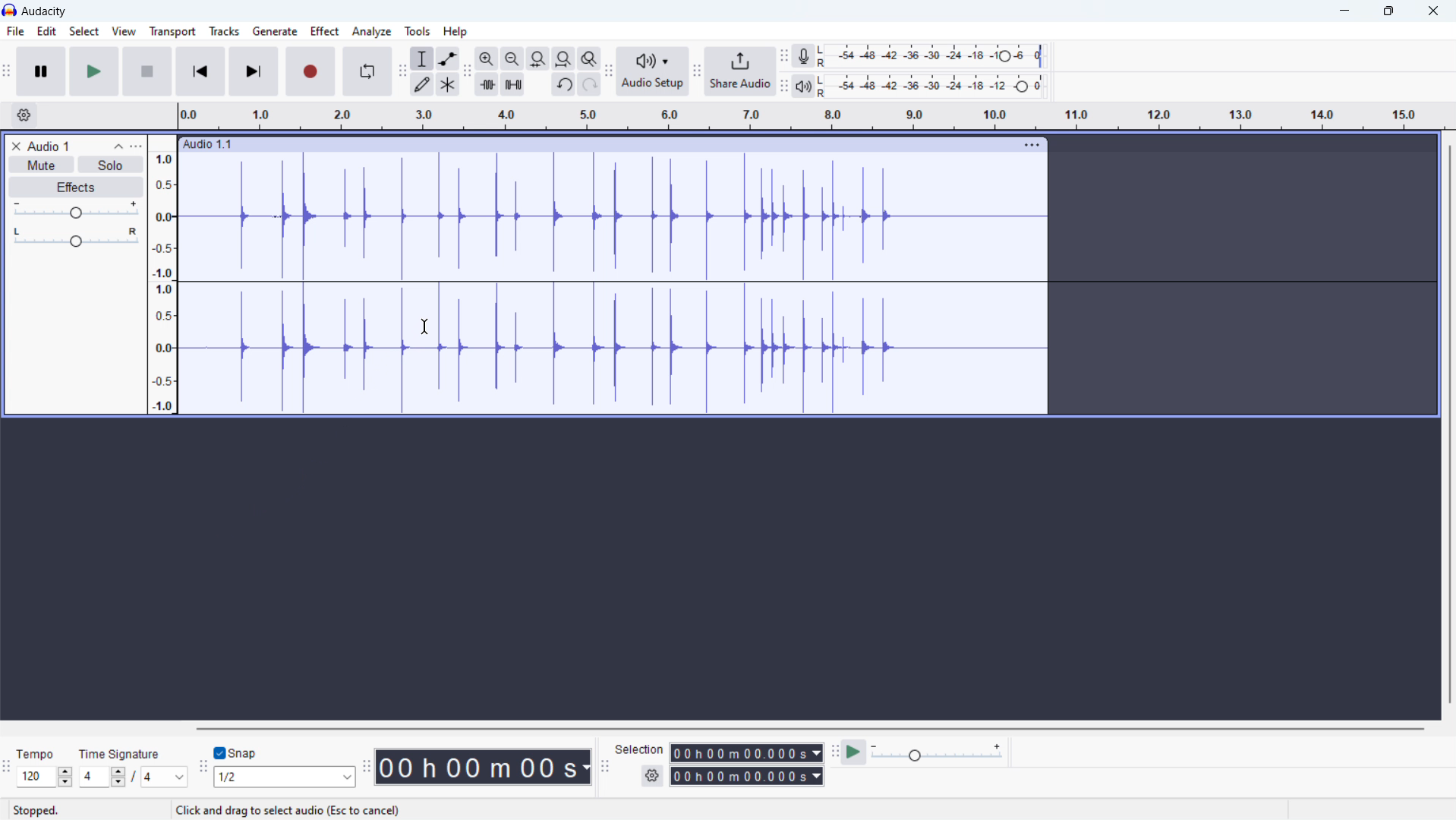  What do you see at coordinates (203, 767) in the screenshot?
I see `snapping toolbar` at bounding box center [203, 767].